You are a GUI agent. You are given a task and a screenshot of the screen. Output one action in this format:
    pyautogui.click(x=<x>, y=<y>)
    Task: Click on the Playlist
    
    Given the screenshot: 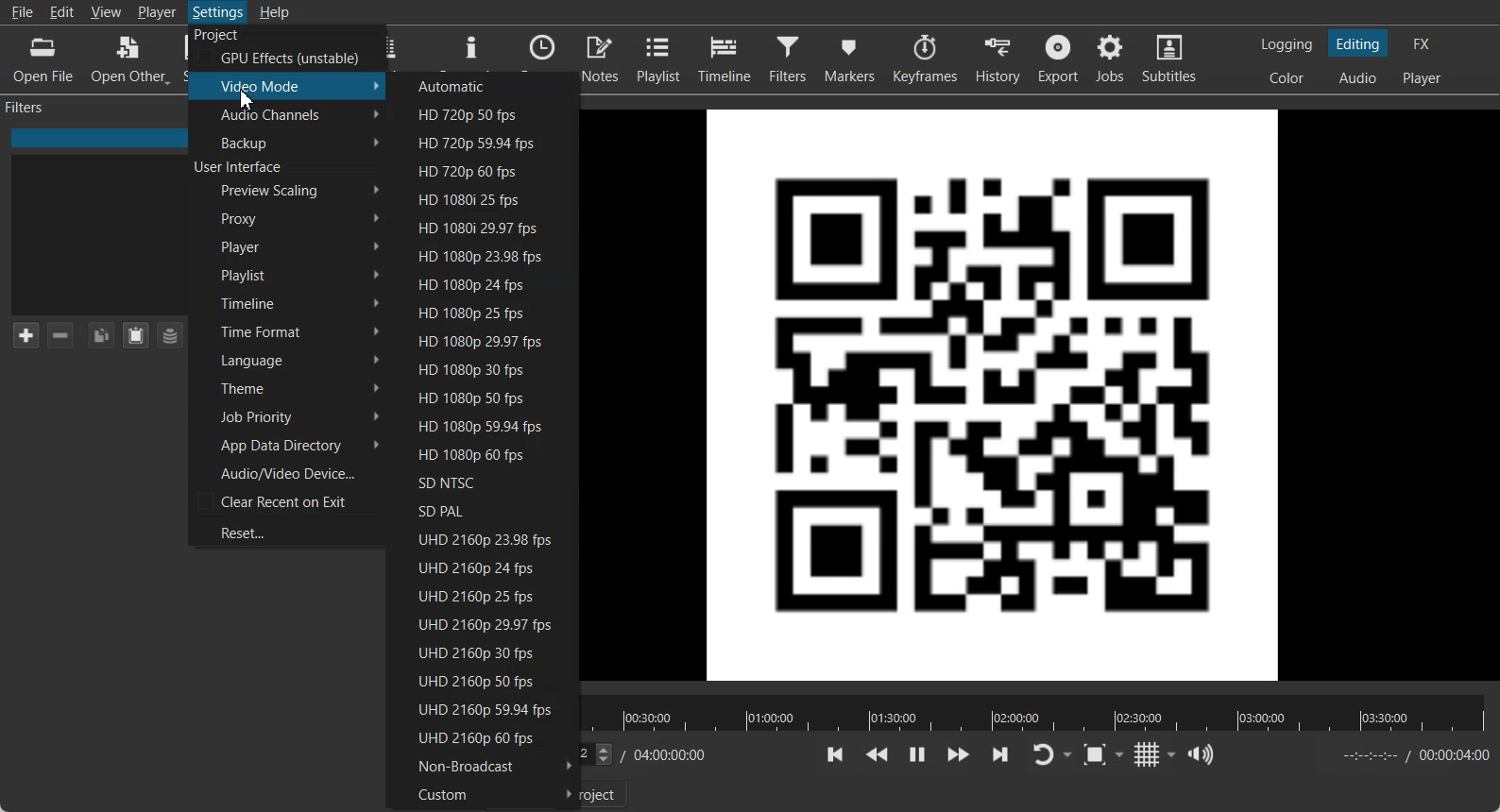 What is the action you would take?
    pyautogui.click(x=288, y=274)
    